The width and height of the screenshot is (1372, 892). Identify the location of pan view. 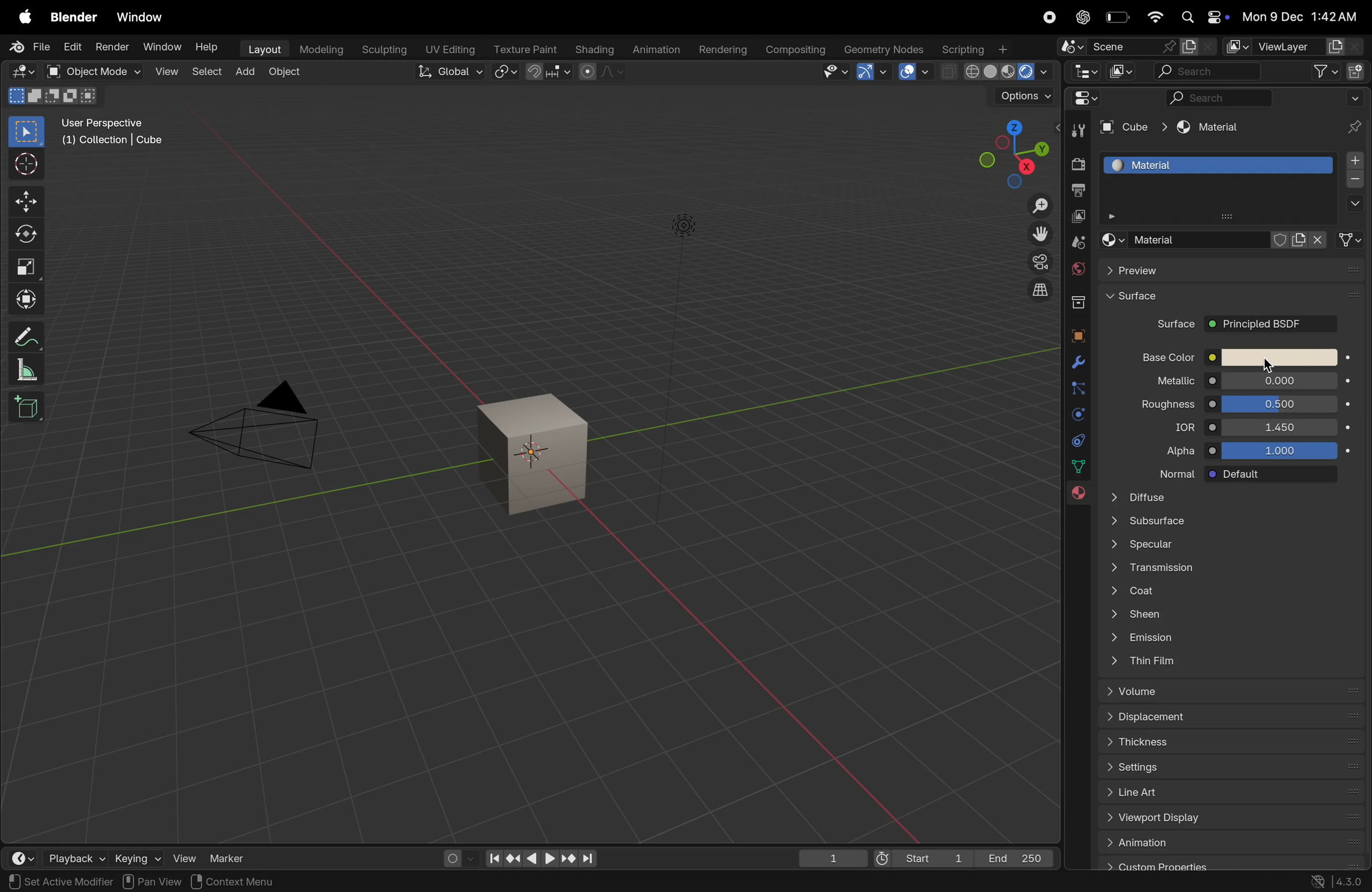
(152, 881).